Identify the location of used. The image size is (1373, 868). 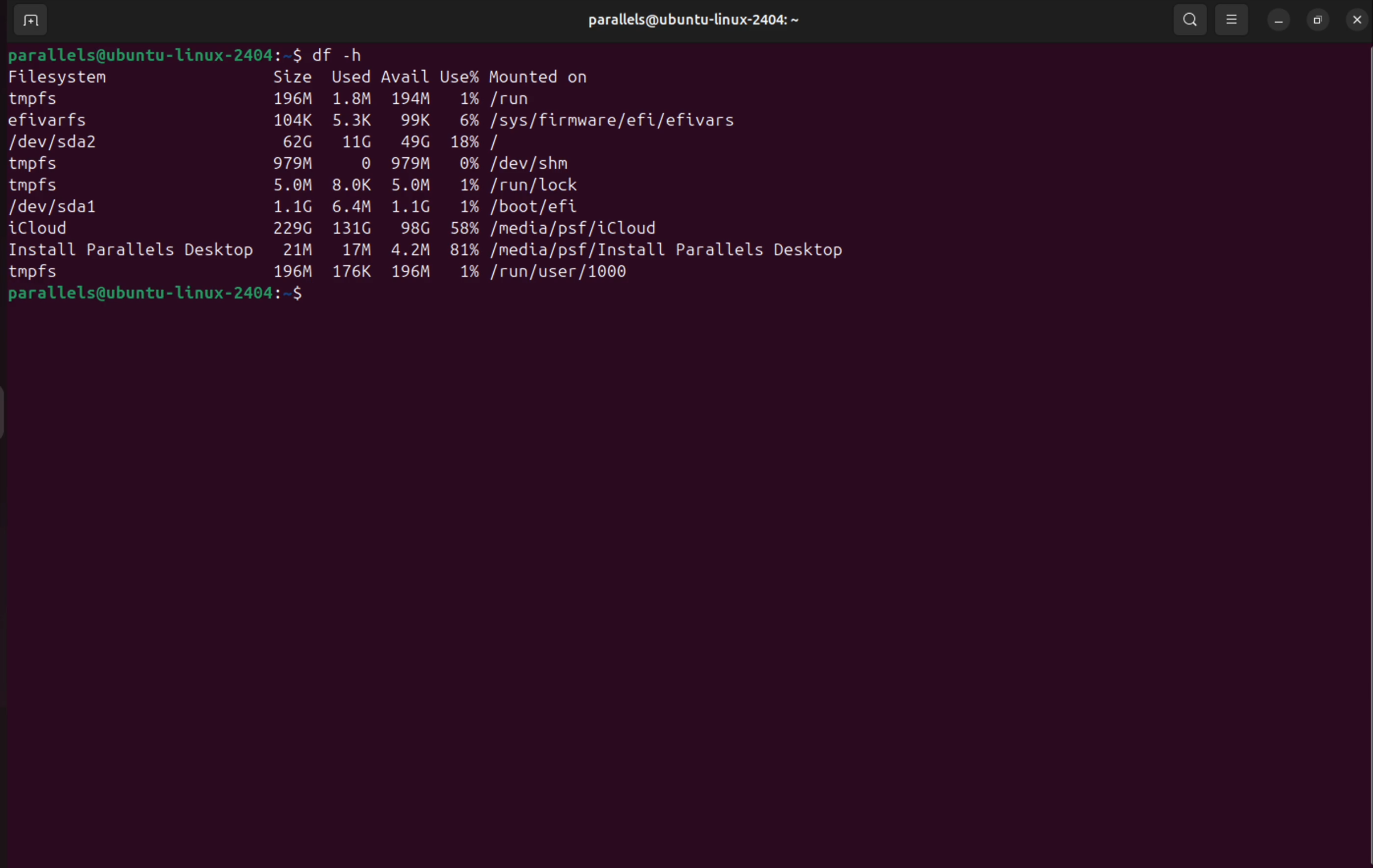
(351, 76).